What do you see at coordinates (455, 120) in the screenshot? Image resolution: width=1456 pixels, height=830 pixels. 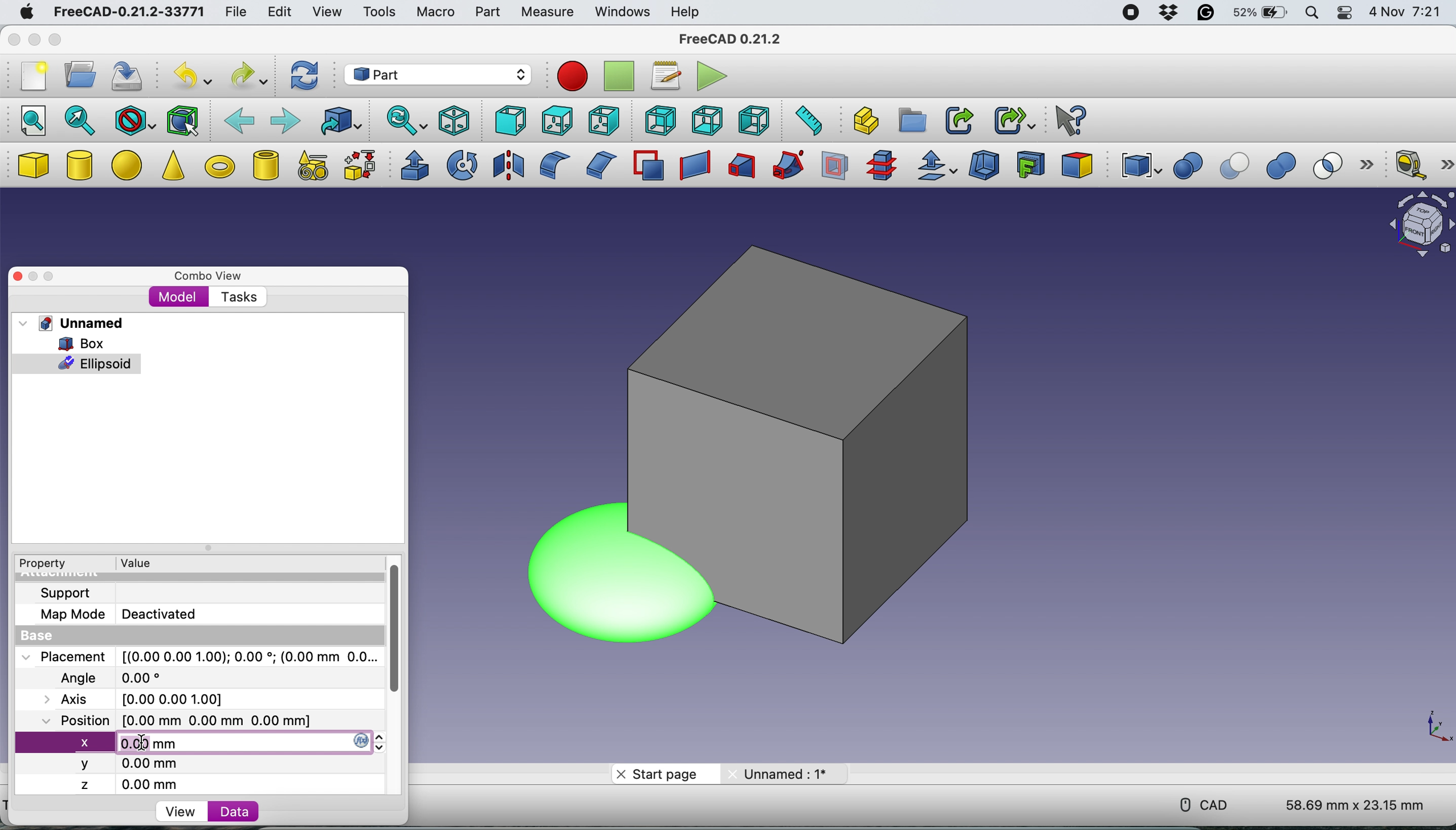 I see `isometric view` at bounding box center [455, 120].